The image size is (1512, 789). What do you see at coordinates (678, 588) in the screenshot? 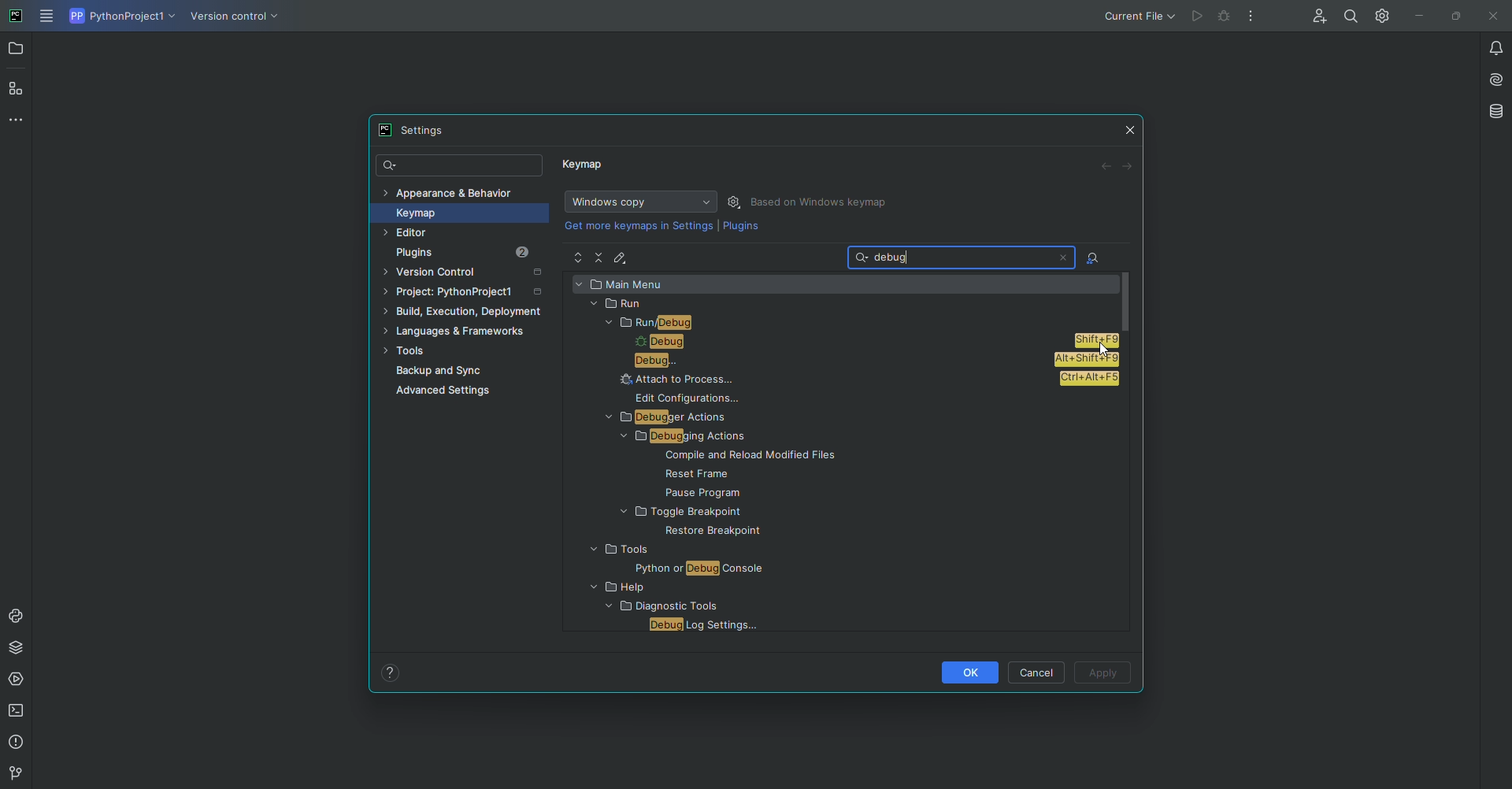
I see `FOLDER NAME` at bounding box center [678, 588].